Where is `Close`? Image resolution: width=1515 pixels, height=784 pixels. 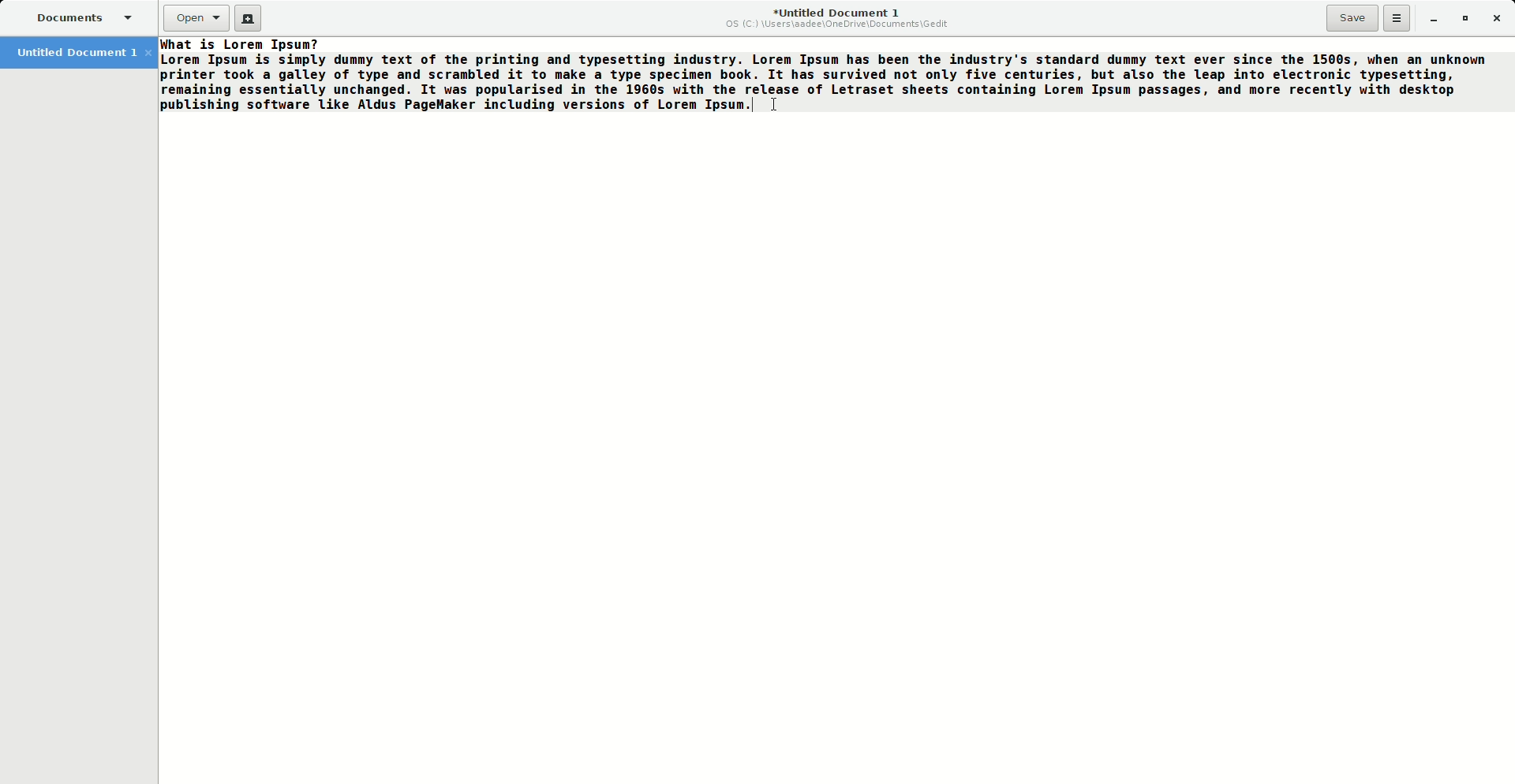
Close is located at coordinates (1497, 17).